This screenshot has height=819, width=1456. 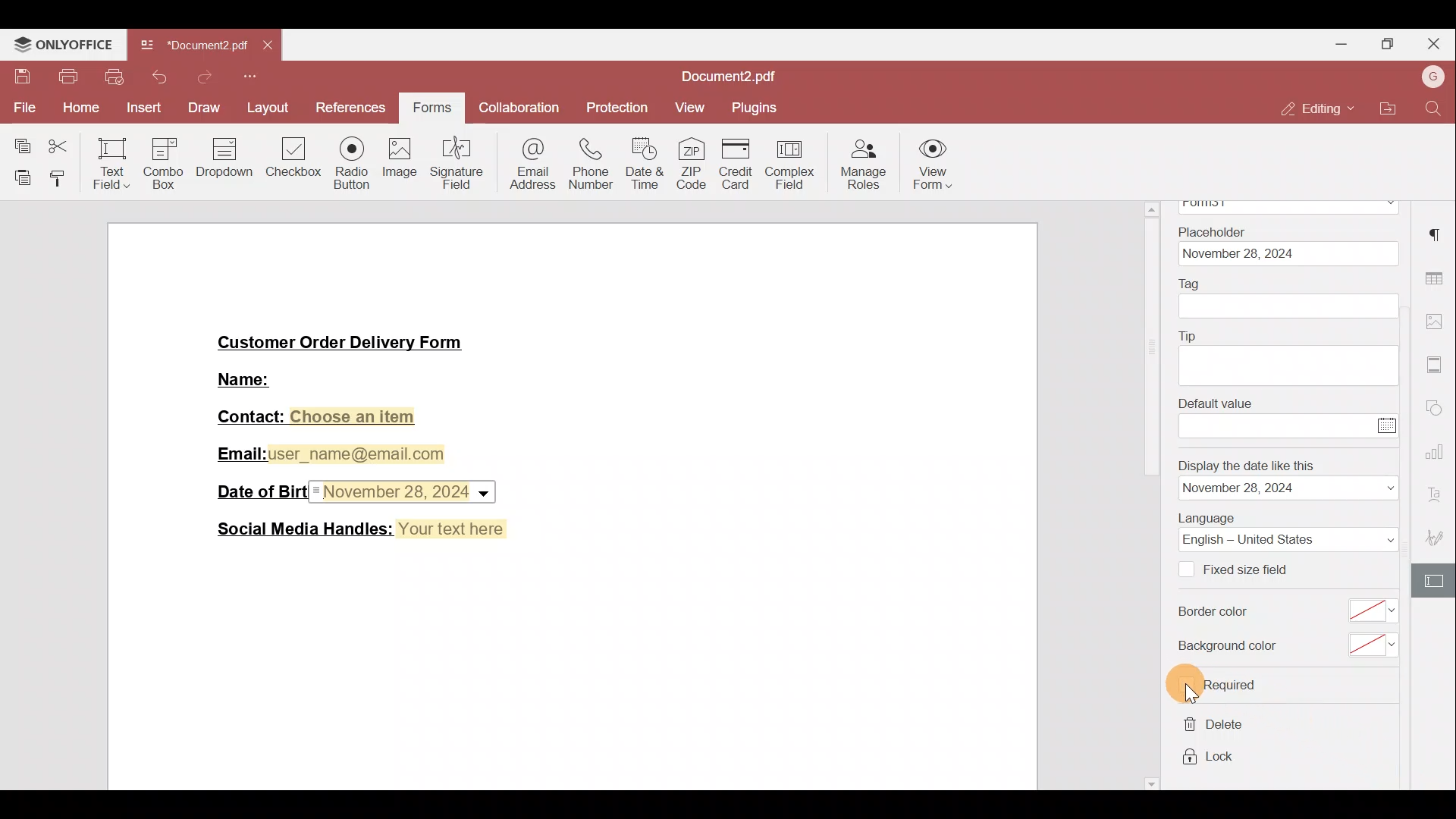 I want to click on References, so click(x=354, y=108).